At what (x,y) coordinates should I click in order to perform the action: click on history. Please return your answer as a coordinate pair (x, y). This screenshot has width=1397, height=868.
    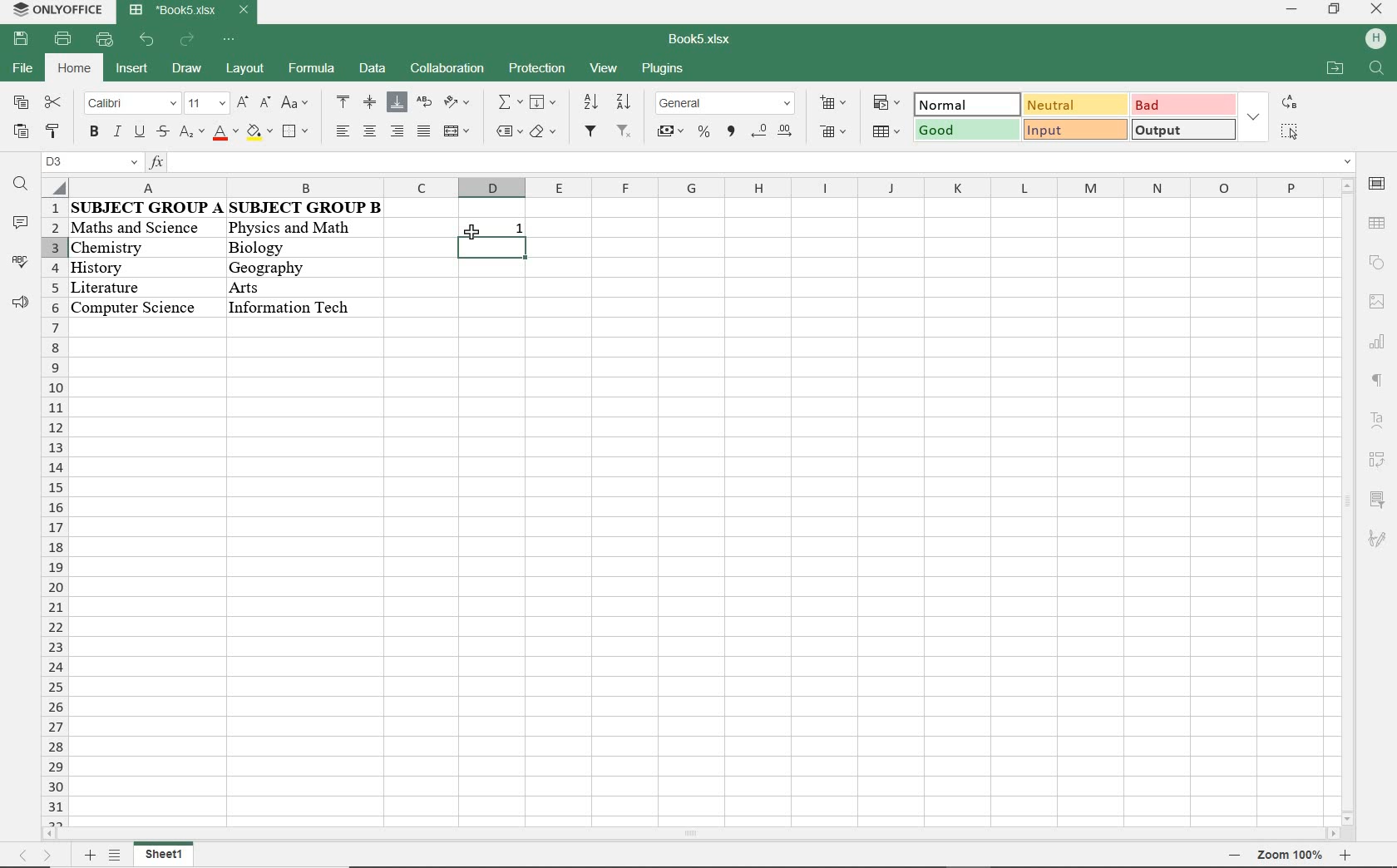
    Looking at the image, I should click on (137, 265).